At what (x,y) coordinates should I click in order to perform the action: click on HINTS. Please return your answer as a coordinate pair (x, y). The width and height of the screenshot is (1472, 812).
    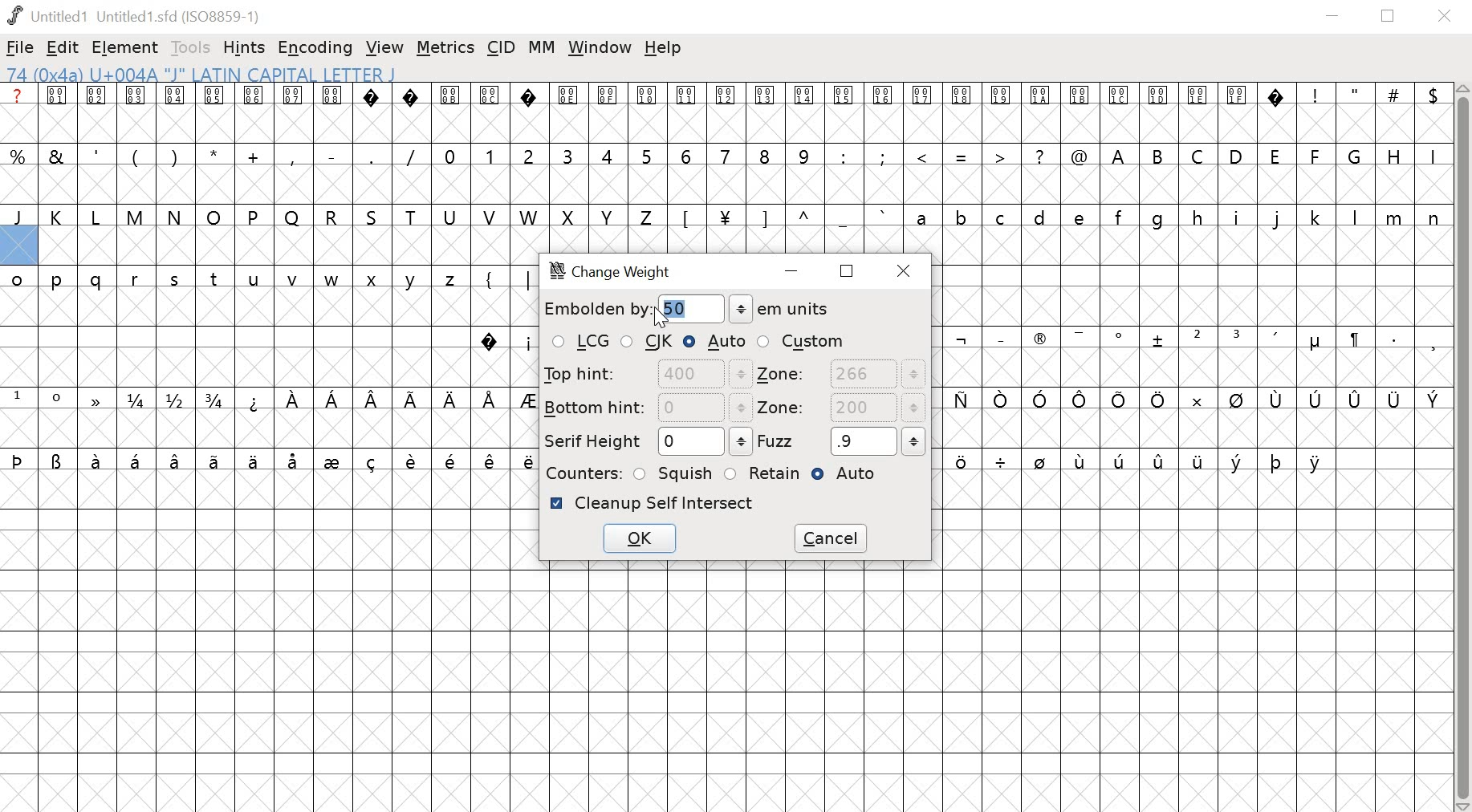
    Looking at the image, I should click on (246, 49).